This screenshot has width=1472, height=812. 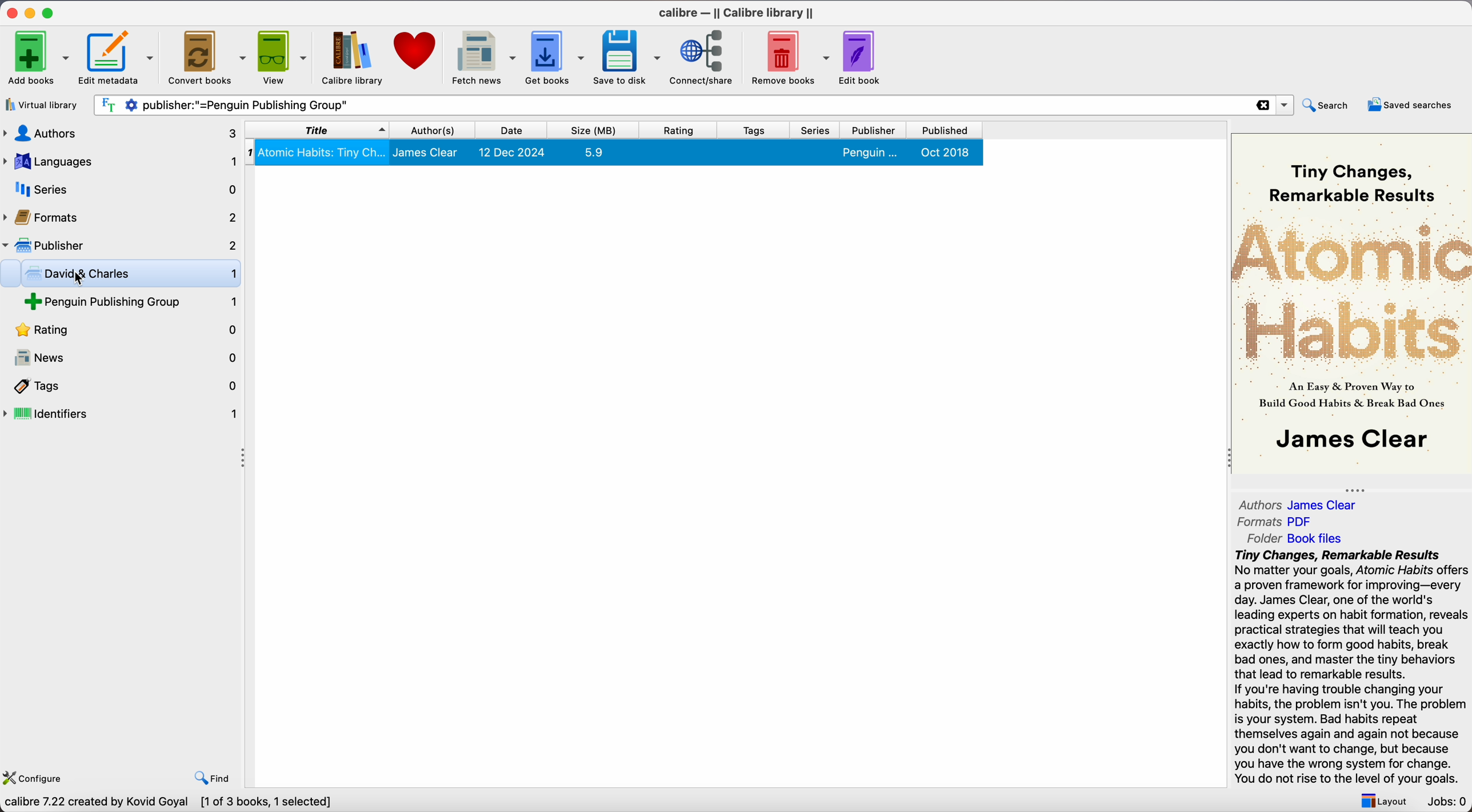 What do you see at coordinates (119, 189) in the screenshot?
I see `series` at bounding box center [119, 189].